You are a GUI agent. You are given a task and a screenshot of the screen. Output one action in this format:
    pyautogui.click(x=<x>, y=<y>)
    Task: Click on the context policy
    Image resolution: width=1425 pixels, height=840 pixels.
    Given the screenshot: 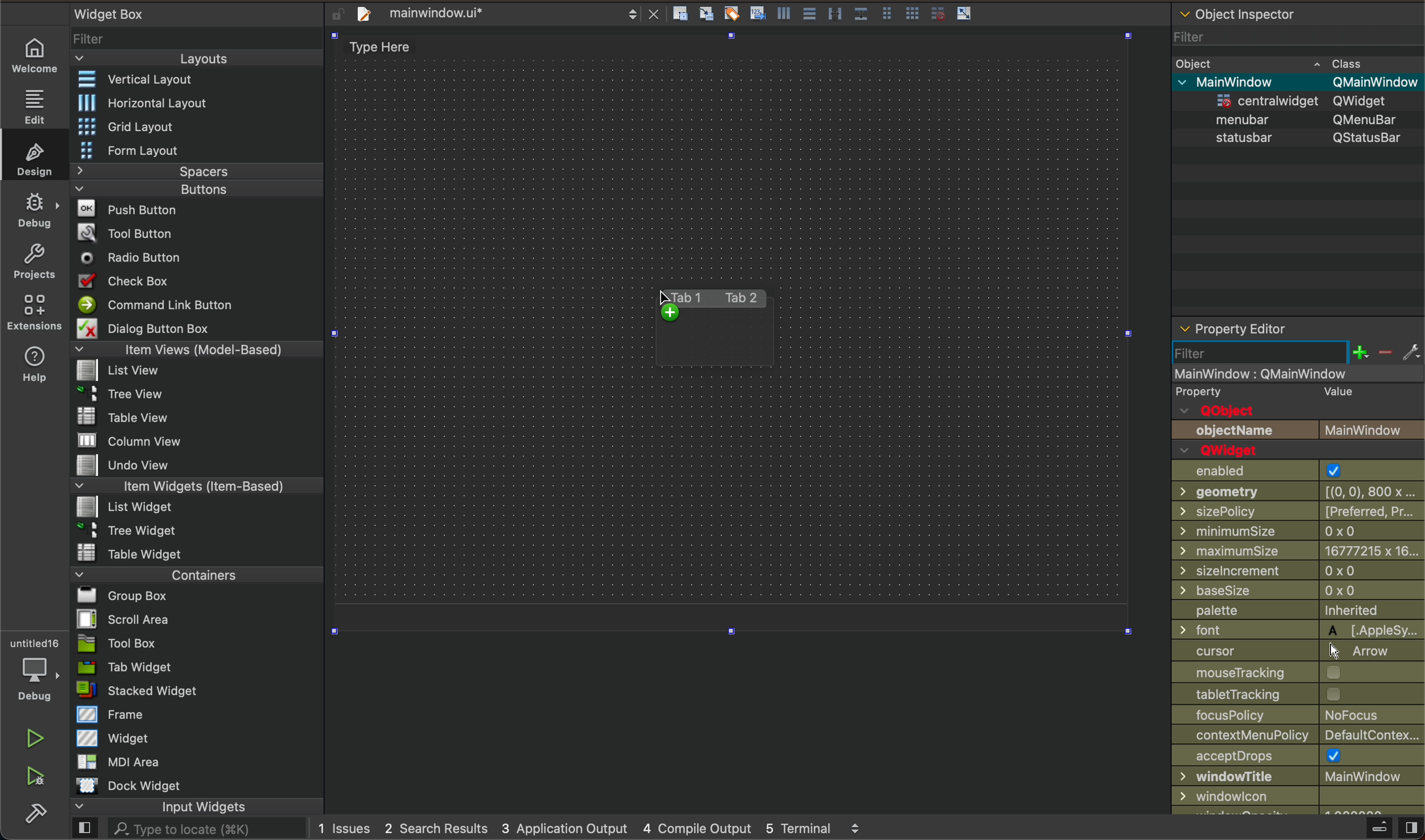 What is the action you would take?
    pyautogui.click(x=1298, y=735)
    